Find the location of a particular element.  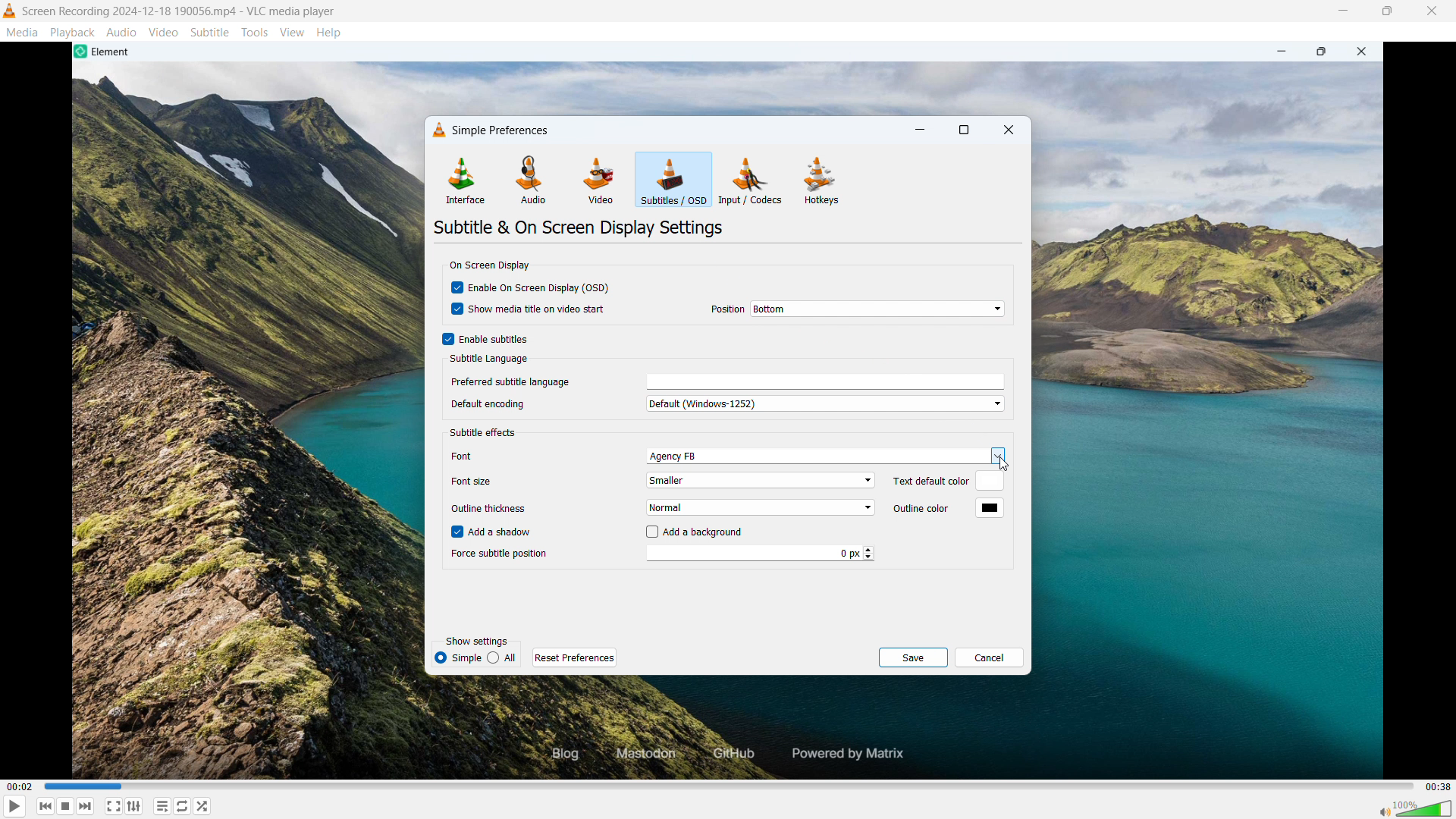

add a background is located at coordinates (695, 531).